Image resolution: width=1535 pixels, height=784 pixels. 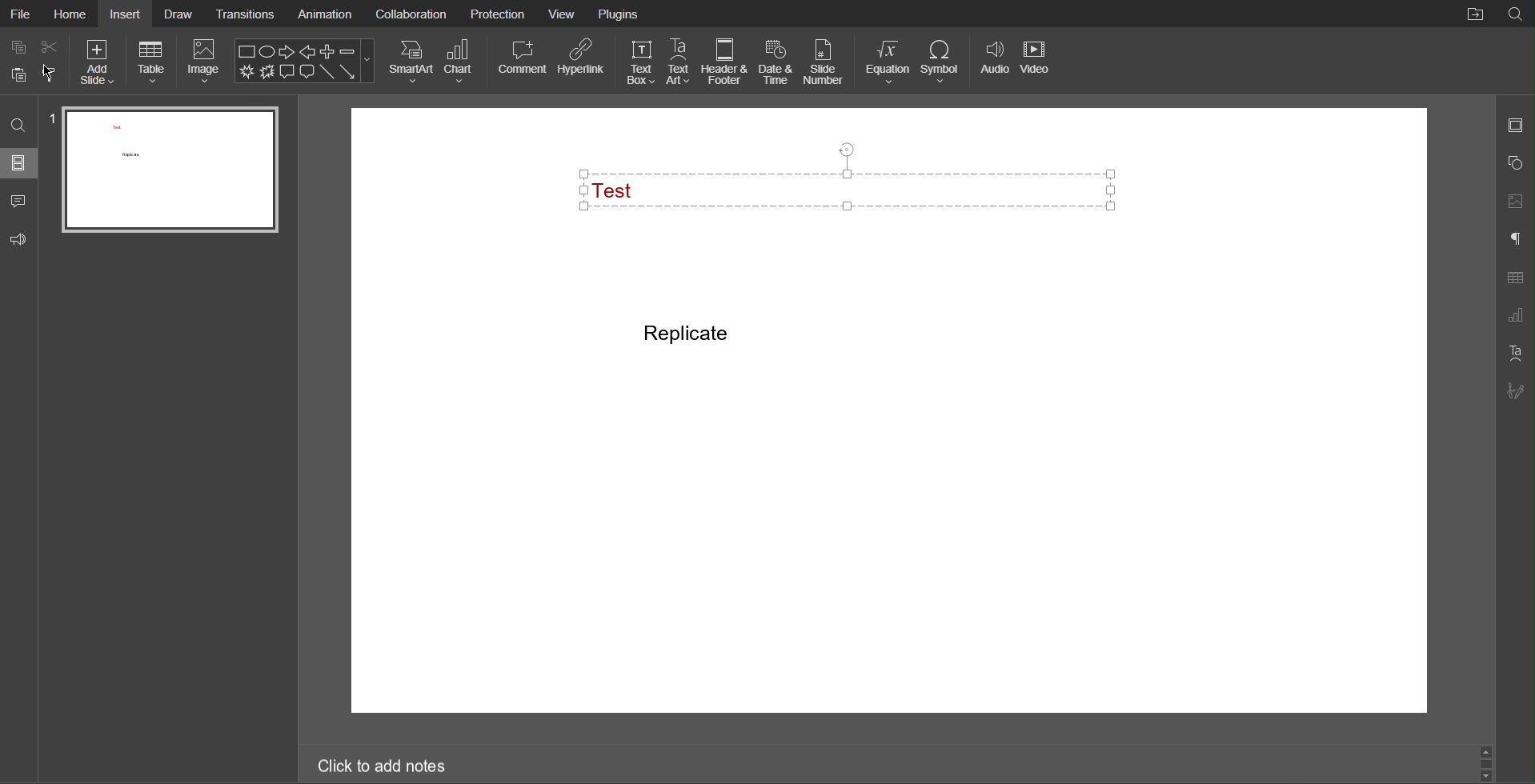 I want to click on Equation, so click(x=888, y=62).